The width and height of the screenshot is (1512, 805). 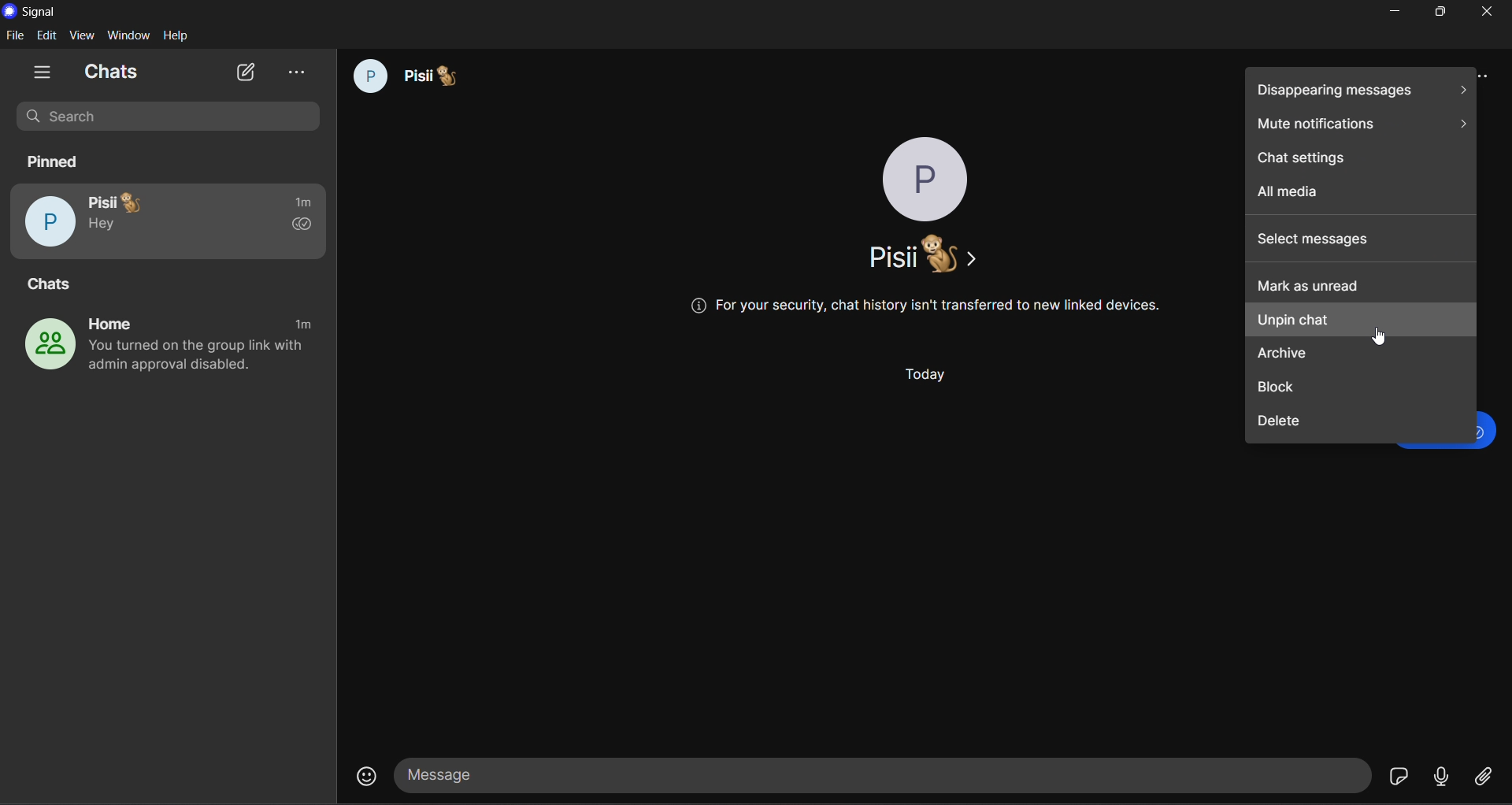 I want to click on disappearing messages, so click(x=1364, y=84).